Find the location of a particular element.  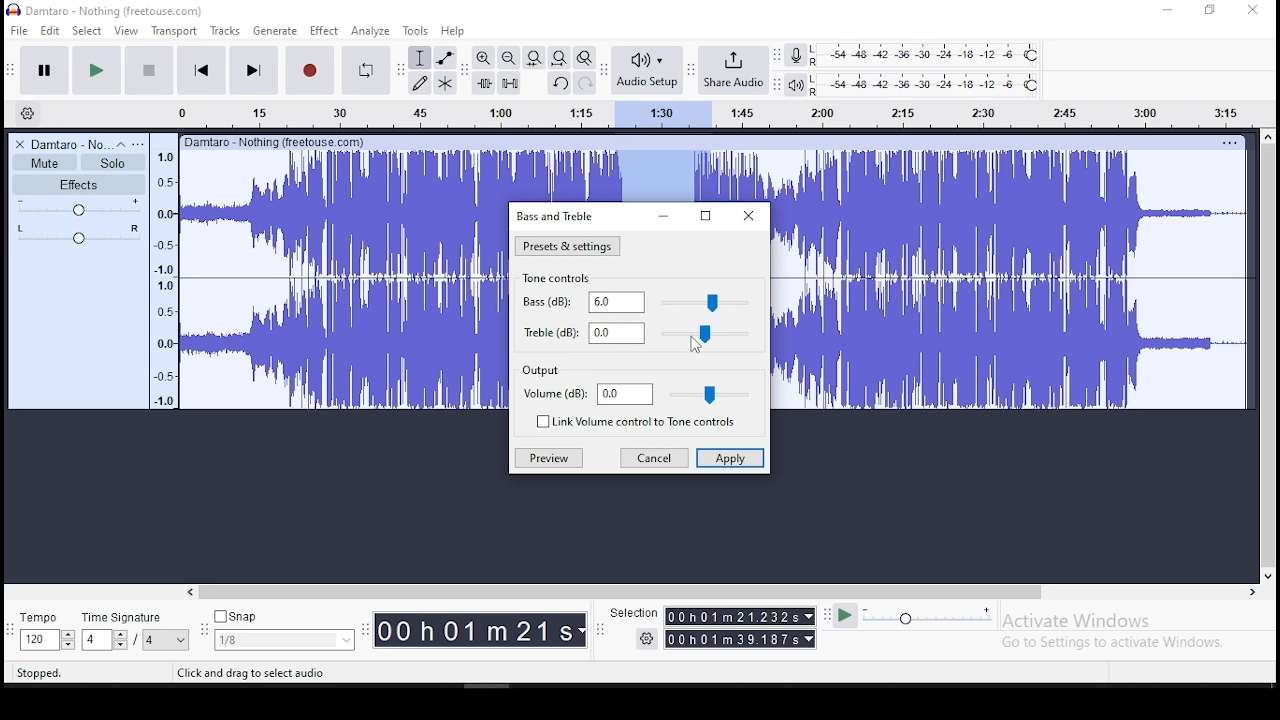

Settings is located at coordinates (648, 638).